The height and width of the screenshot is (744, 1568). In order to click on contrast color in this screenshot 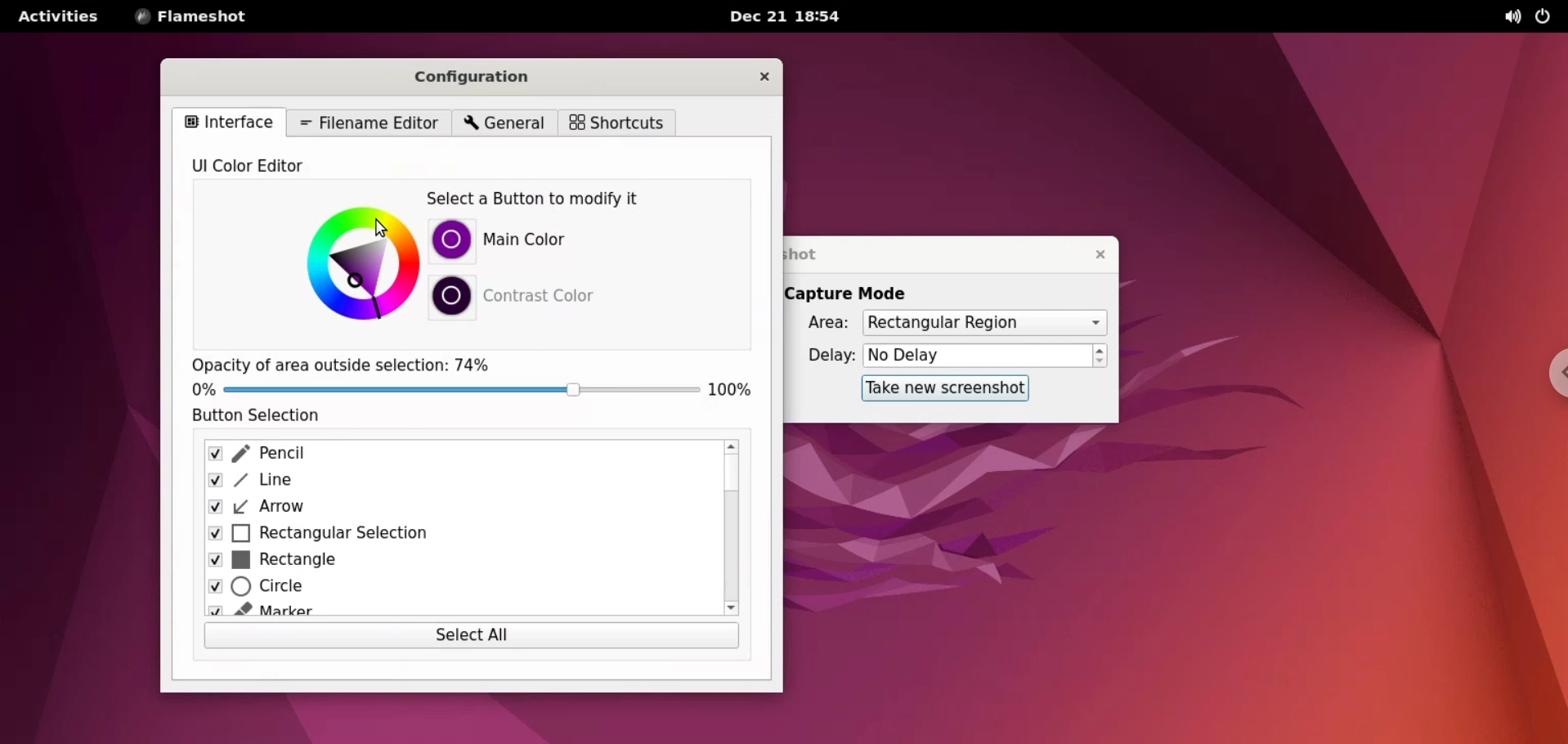, I will do `click(544, 297)`.